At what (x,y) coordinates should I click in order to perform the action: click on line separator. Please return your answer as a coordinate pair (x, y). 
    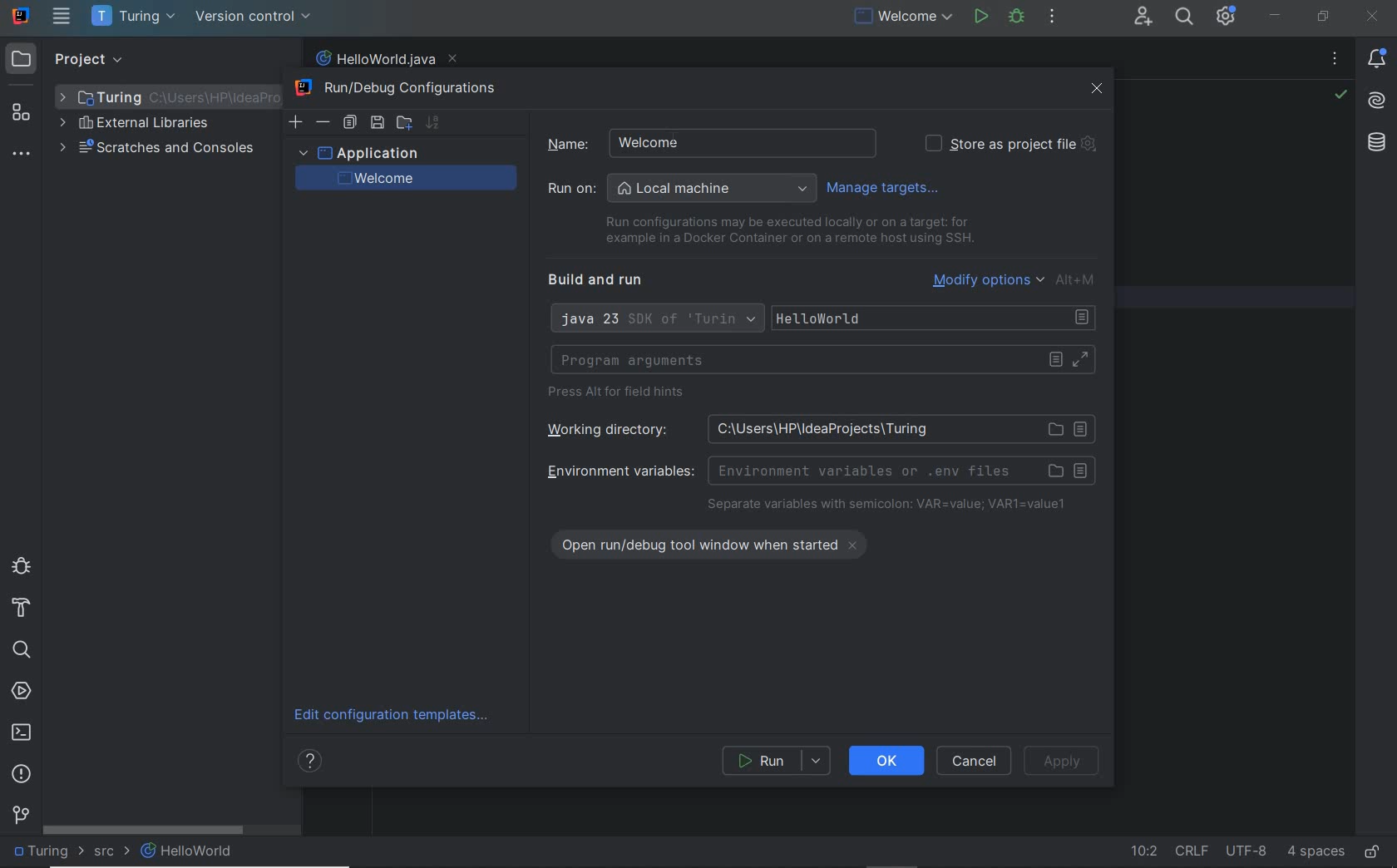
    Looking at the image, I should click on (1192, 851).